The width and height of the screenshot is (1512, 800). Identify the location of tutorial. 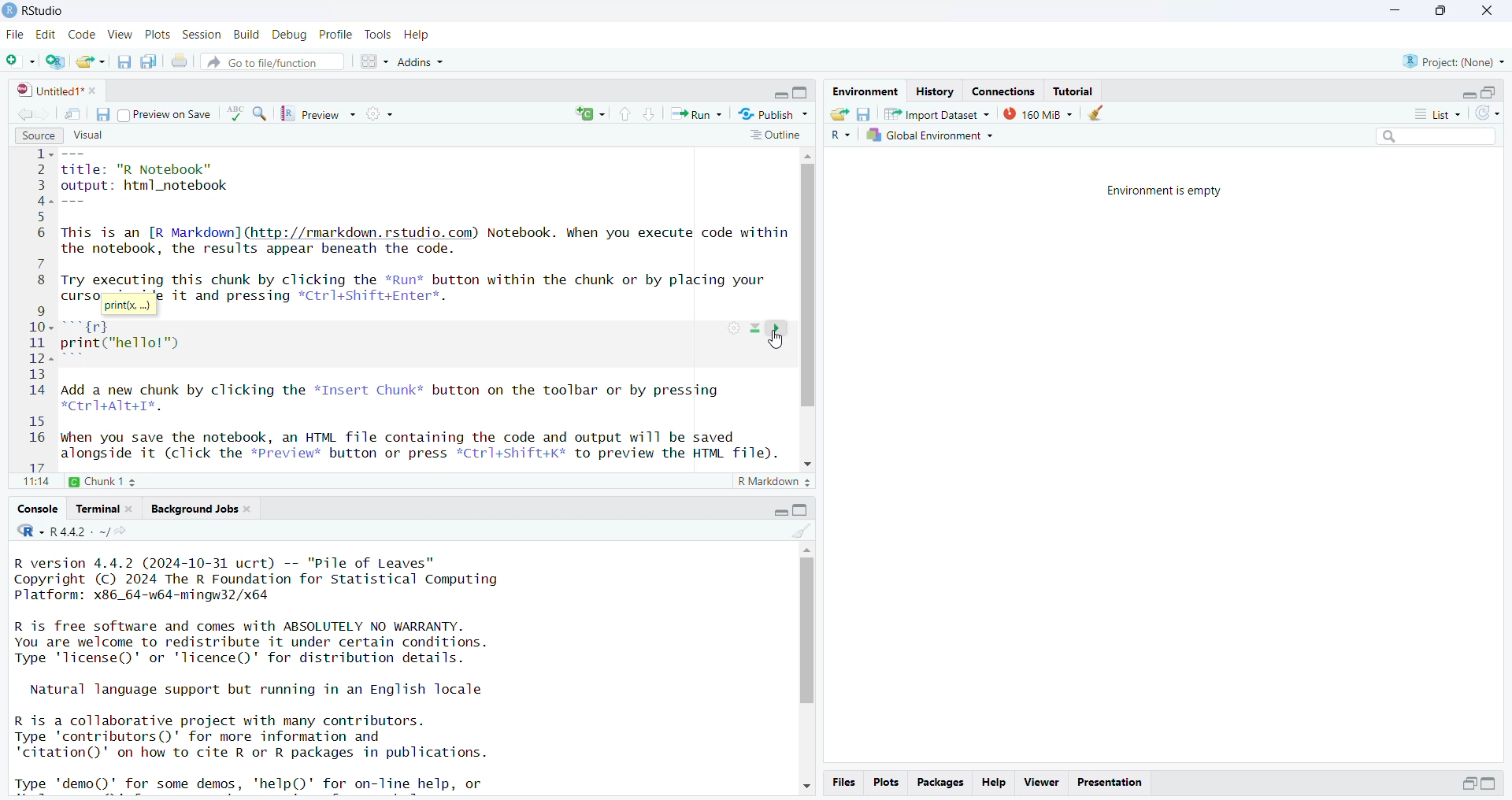
(1075, 91).